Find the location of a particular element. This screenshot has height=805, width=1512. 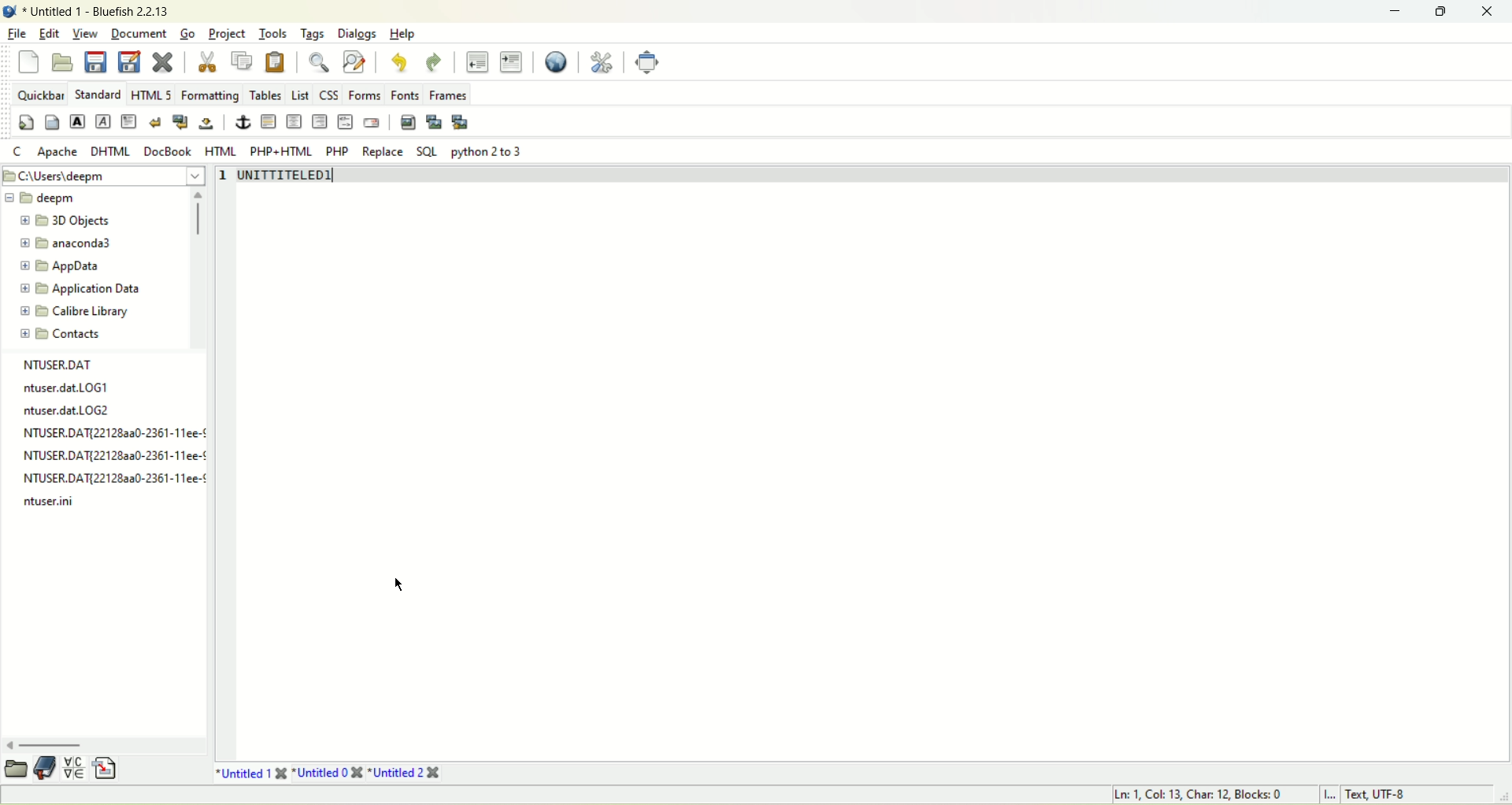

cursor is located at coordinates (398, 584).